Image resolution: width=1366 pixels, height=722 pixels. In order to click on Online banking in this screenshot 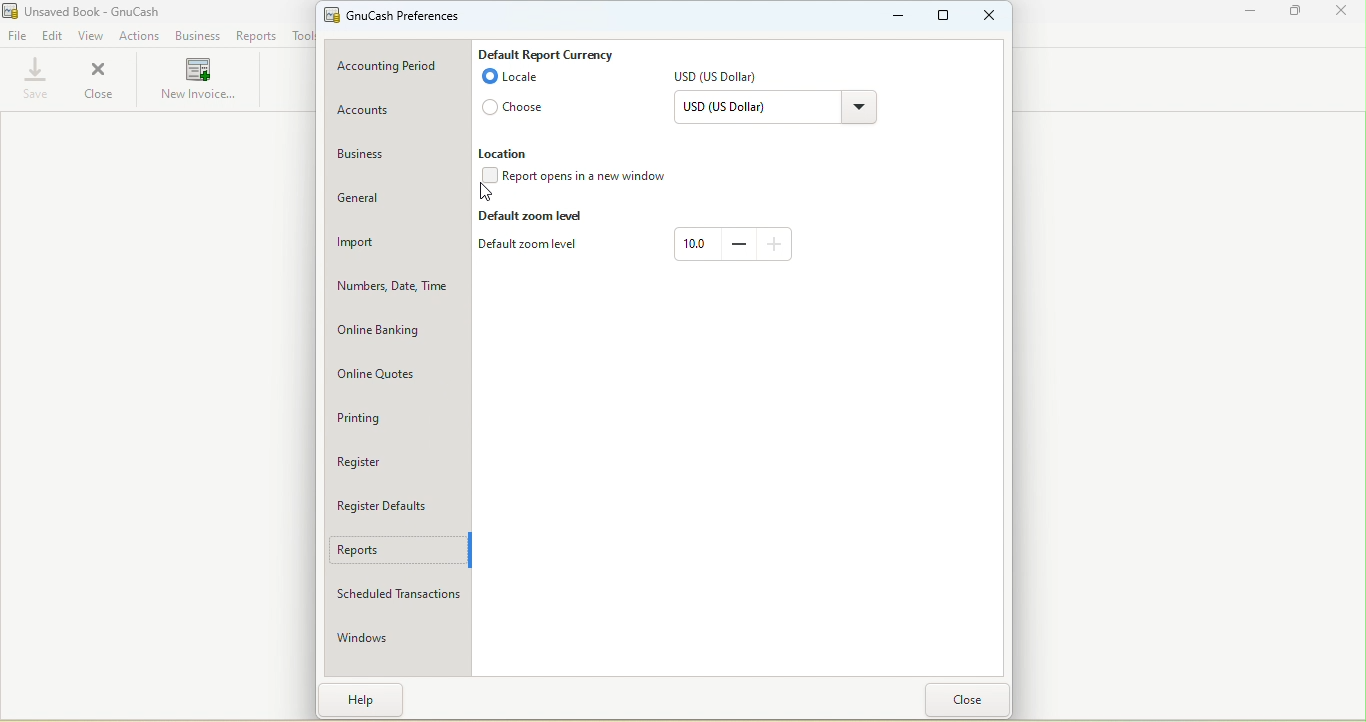, I will do `click(398, 332)`.